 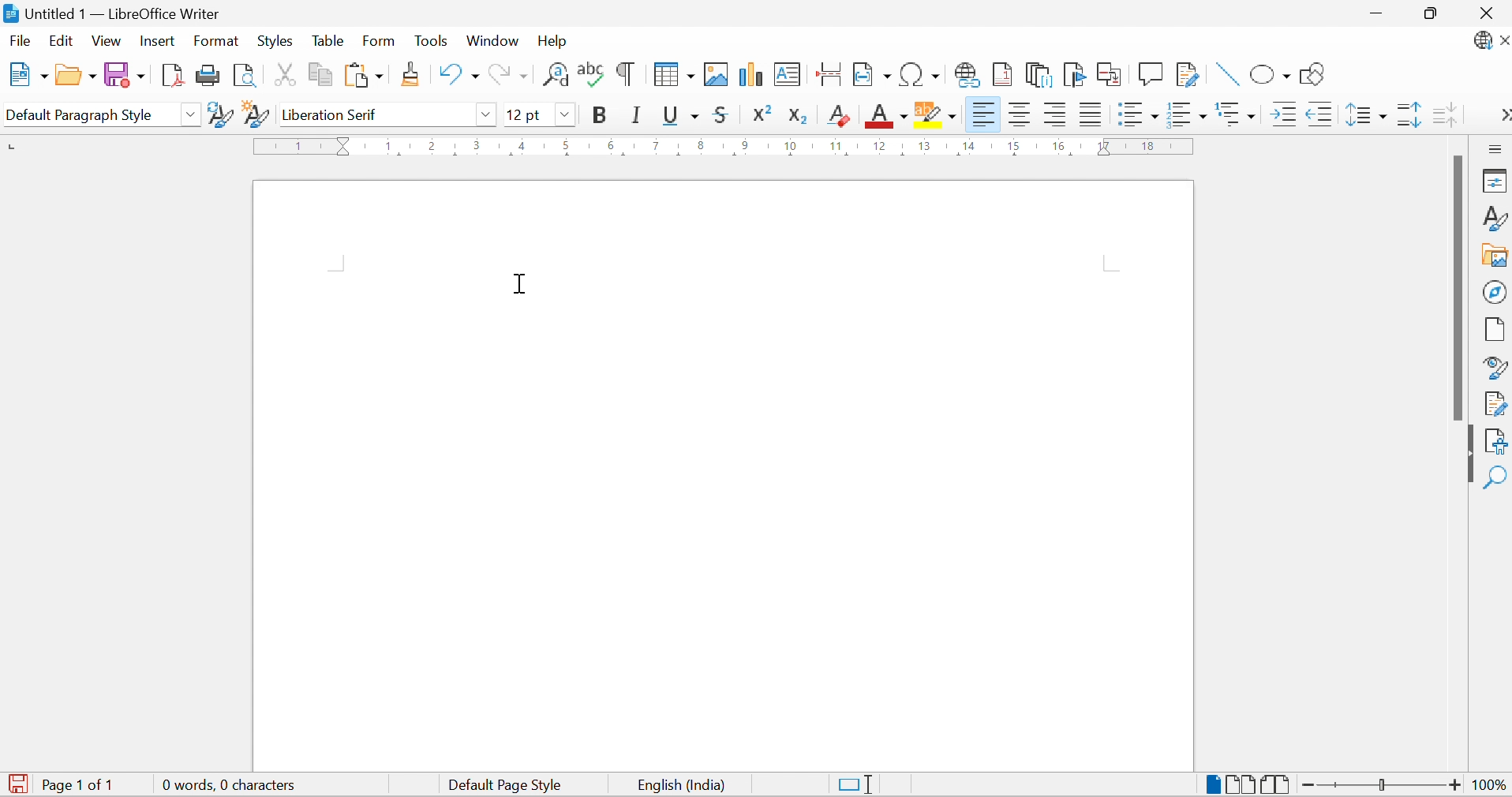 I want to click on LibreOffice Update Available, so click(x=1491, y=42).